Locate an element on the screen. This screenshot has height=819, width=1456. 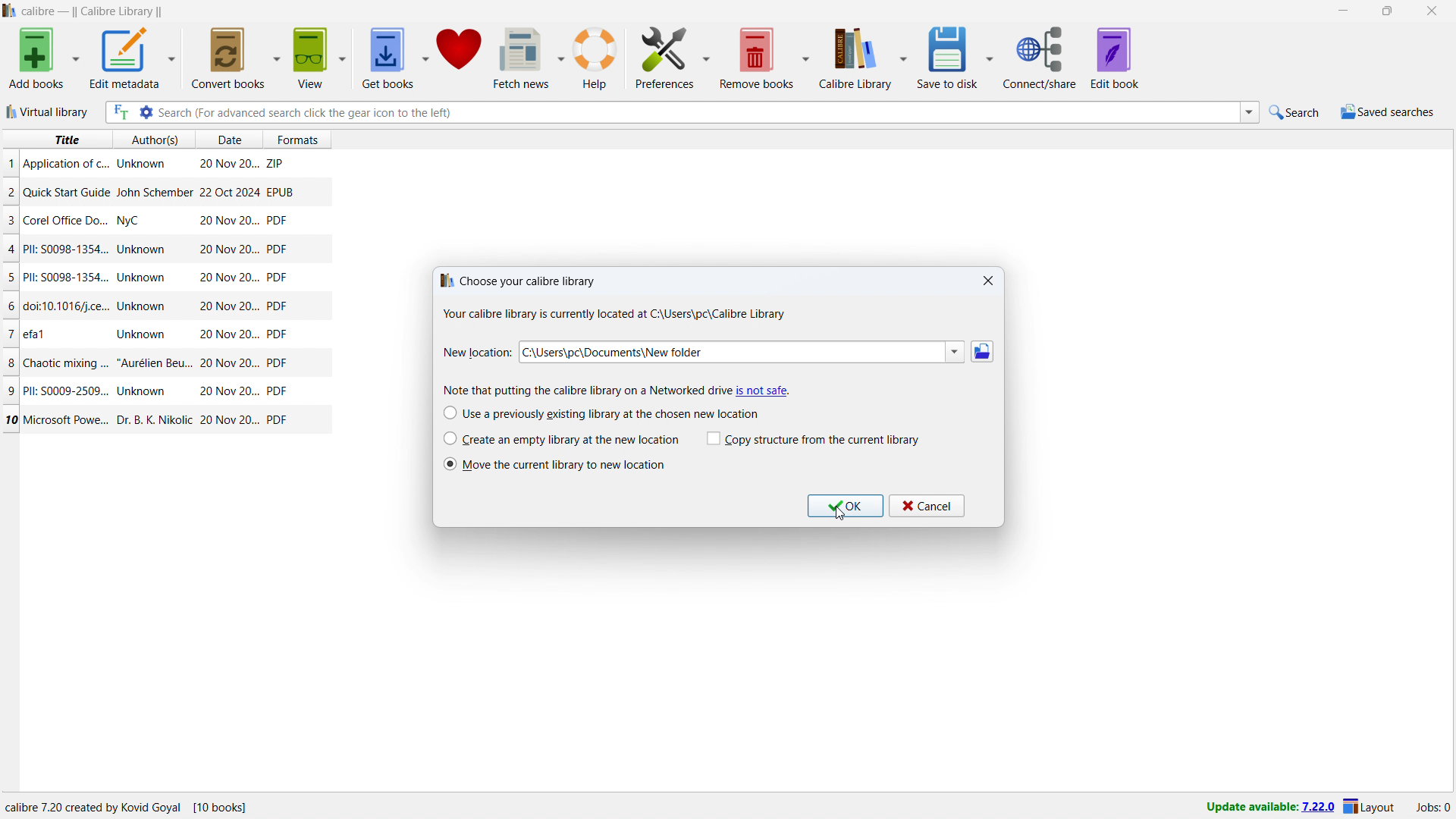
remove books is located at coordinates (757, 58).